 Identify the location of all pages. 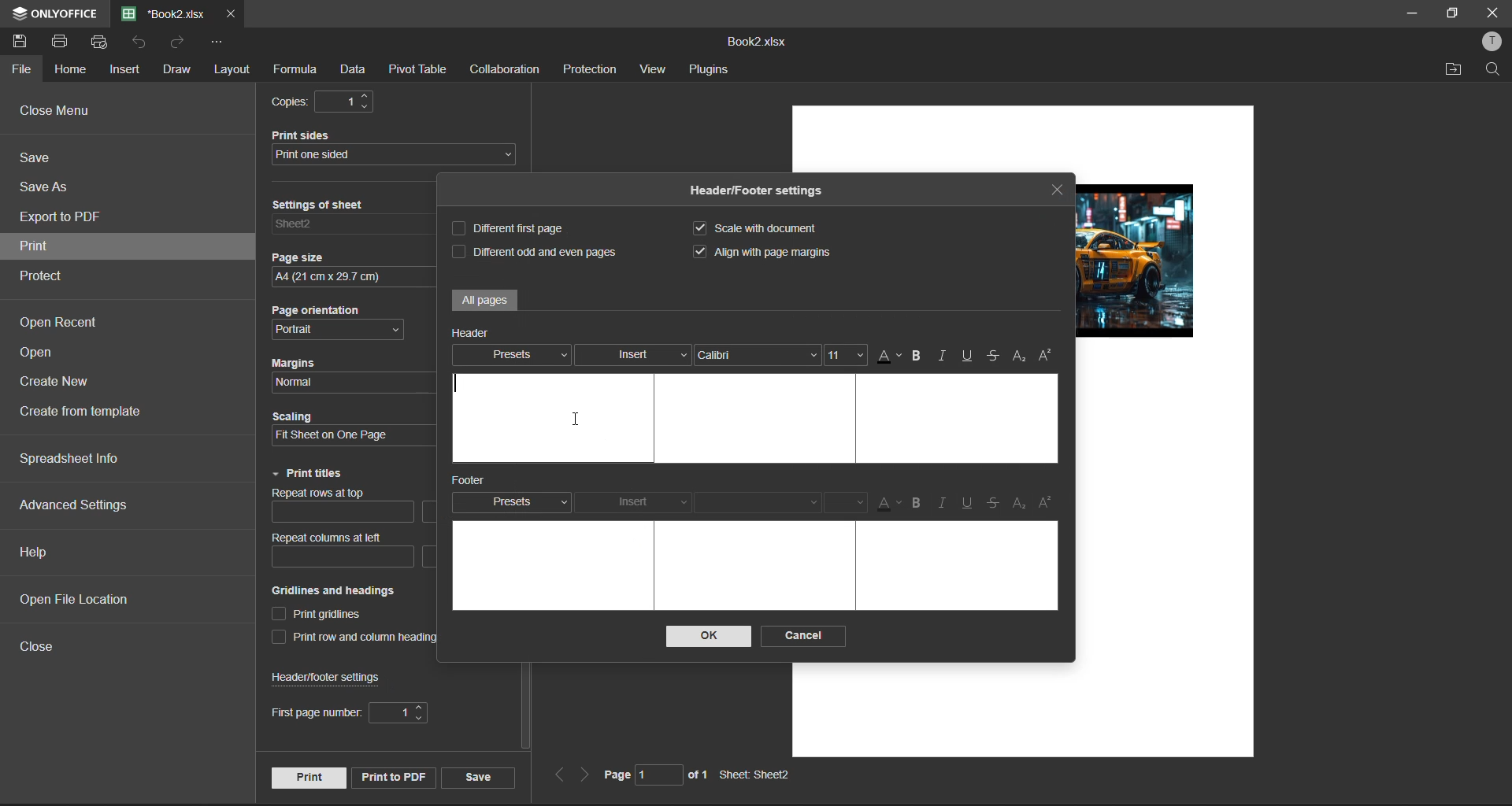
(485, 300).